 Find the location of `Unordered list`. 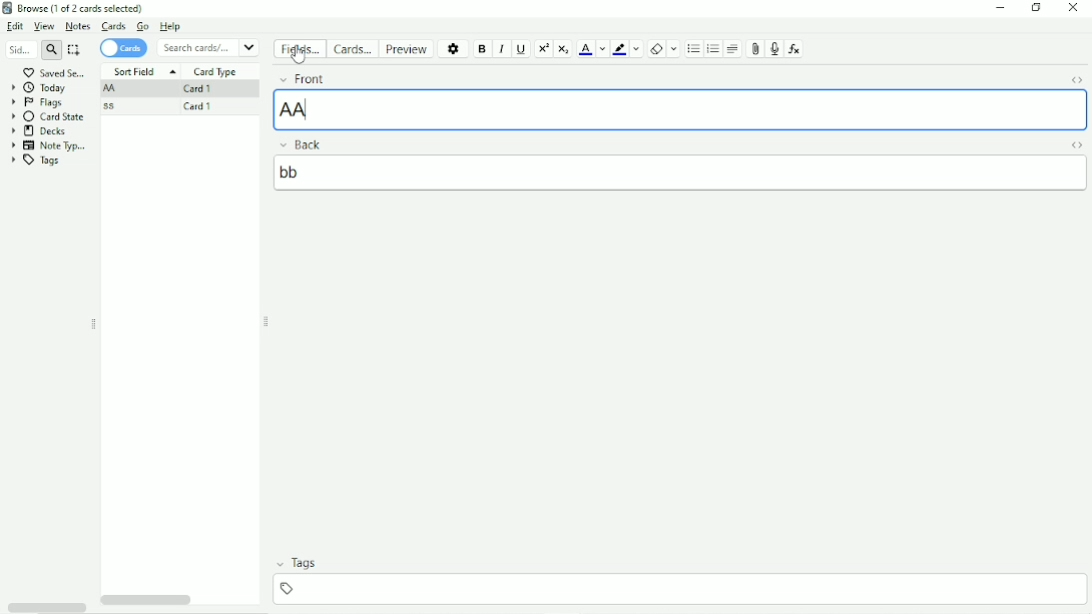

Unordered list is located at coordinates (693, 49).